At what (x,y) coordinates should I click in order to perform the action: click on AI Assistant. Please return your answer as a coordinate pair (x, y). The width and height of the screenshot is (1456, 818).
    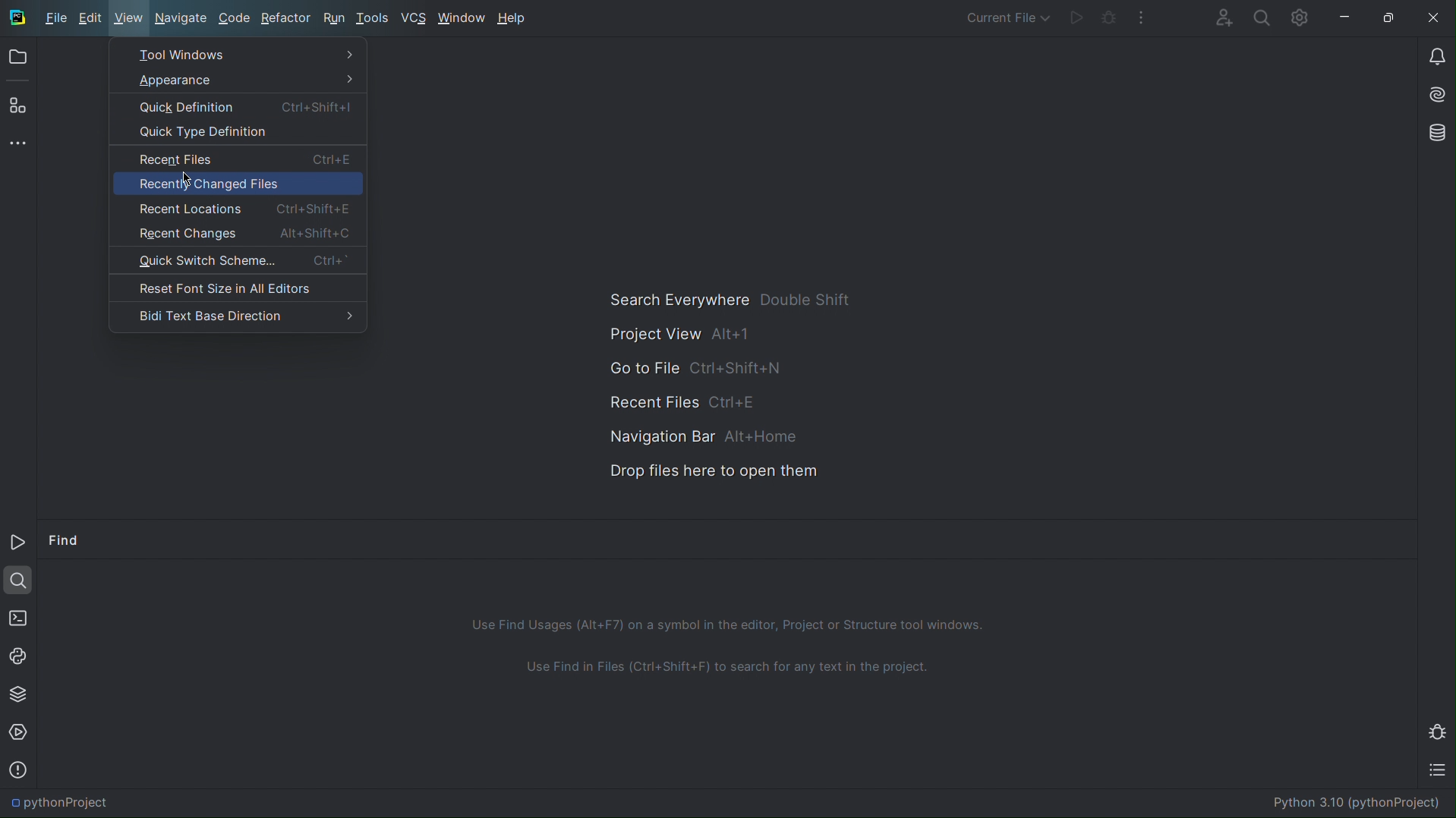
    Looking at the image, I should click on (1434, 96).